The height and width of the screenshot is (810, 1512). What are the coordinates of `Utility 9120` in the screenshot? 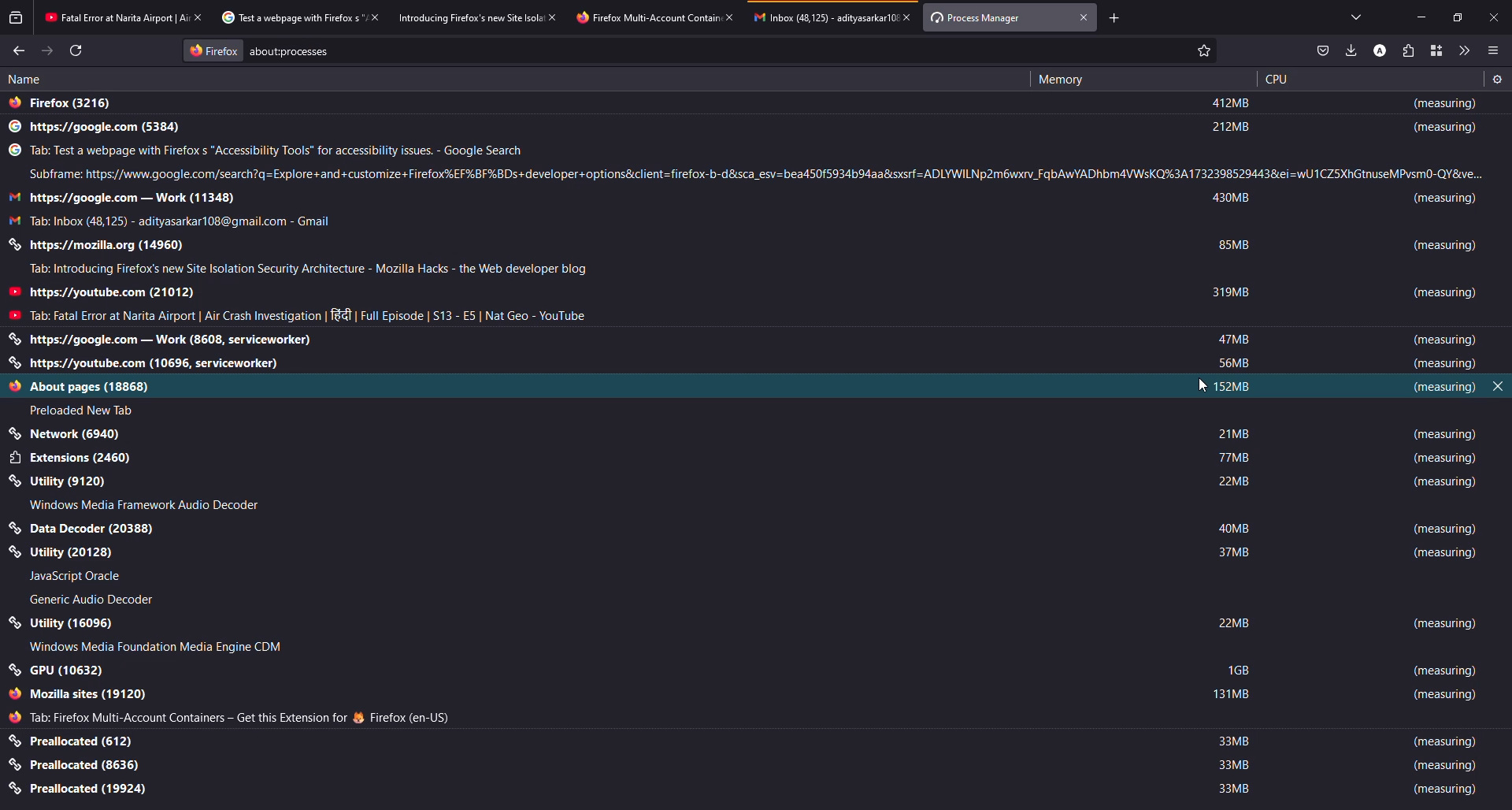 It's located at (58, 483).